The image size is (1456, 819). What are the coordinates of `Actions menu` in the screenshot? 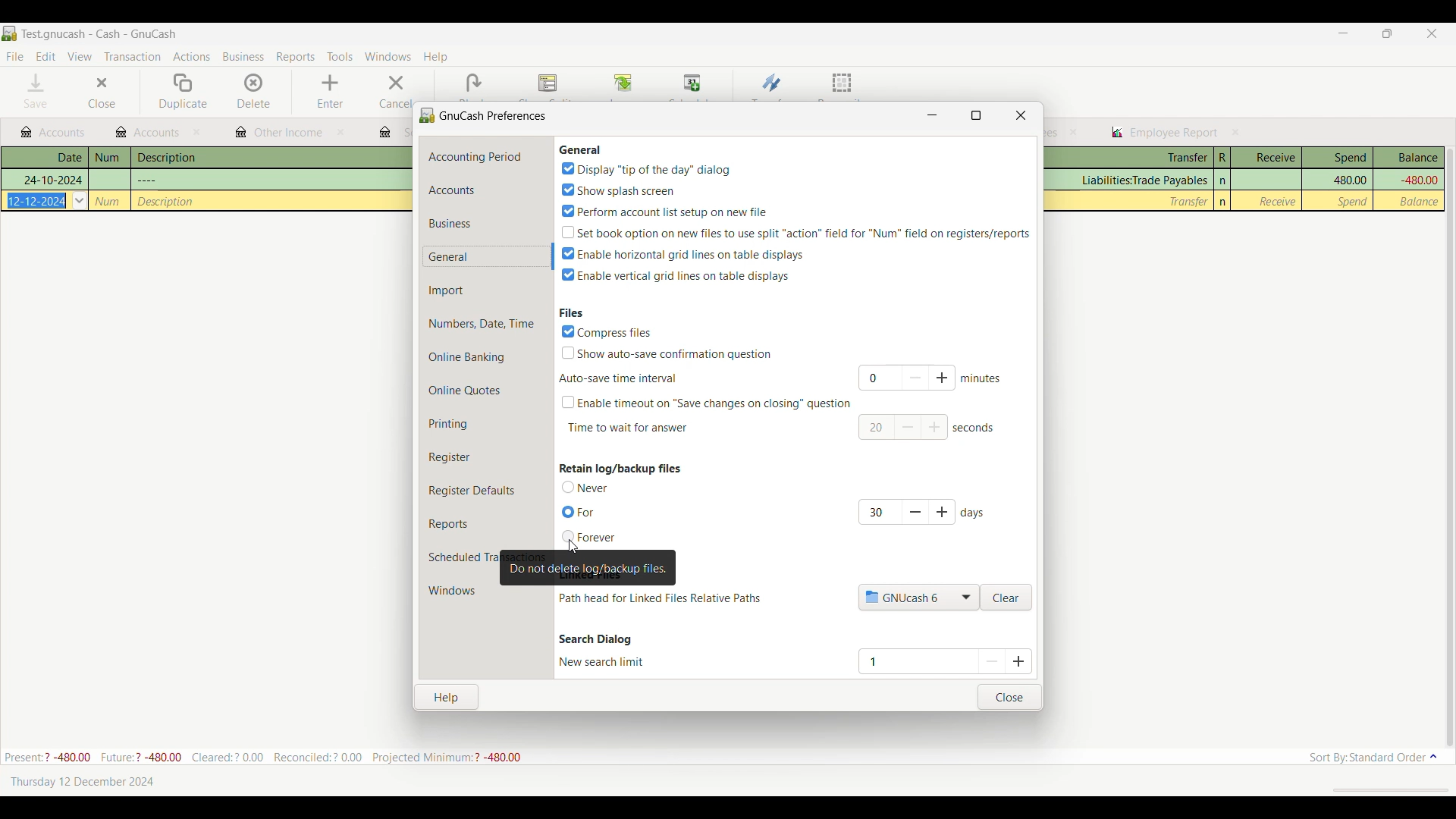 It's located at (192, 56).